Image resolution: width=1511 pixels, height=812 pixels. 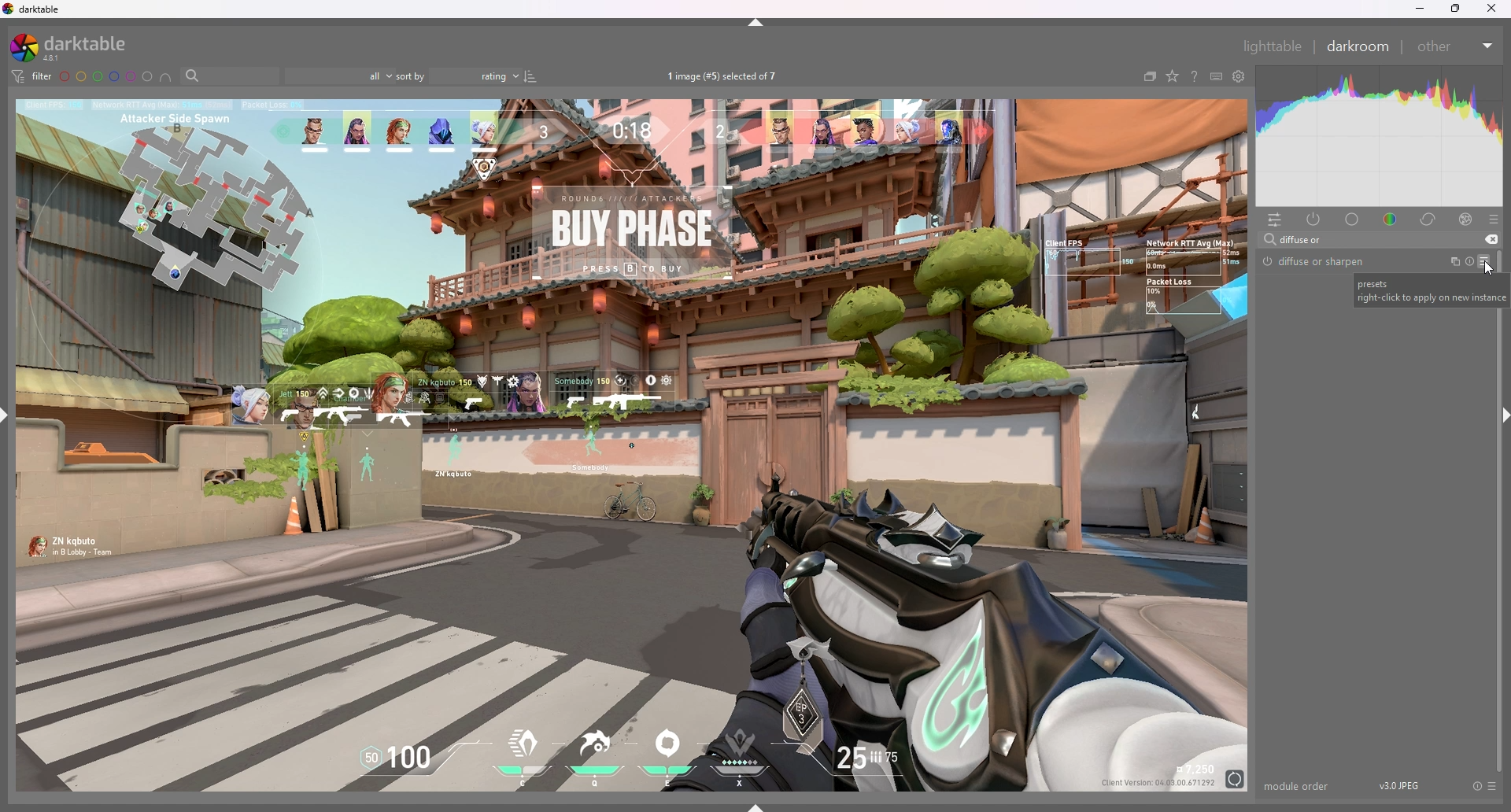 What do you see at coordinates (726, 76) in the screenshot?
I see `images selected` at bounding box center [726, 76].